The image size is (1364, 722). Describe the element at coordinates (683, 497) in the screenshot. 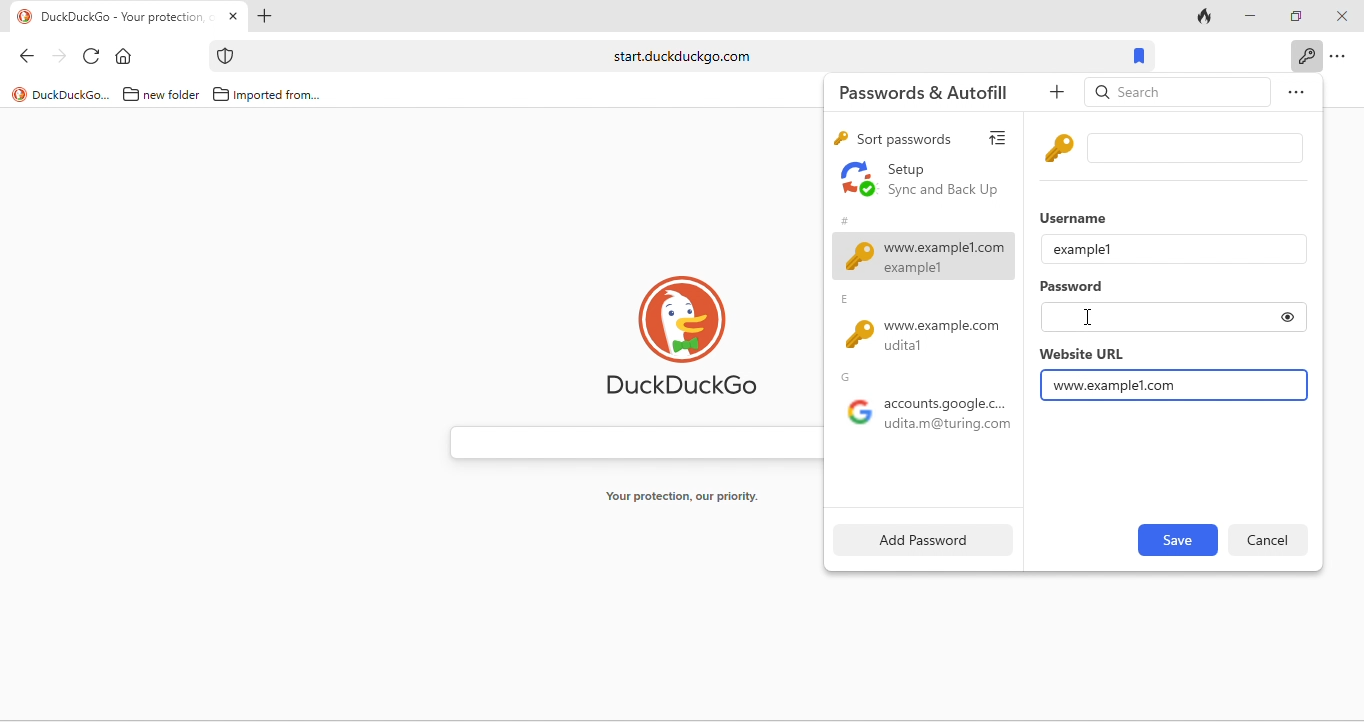

I see `your protection, our priority.` at that location.